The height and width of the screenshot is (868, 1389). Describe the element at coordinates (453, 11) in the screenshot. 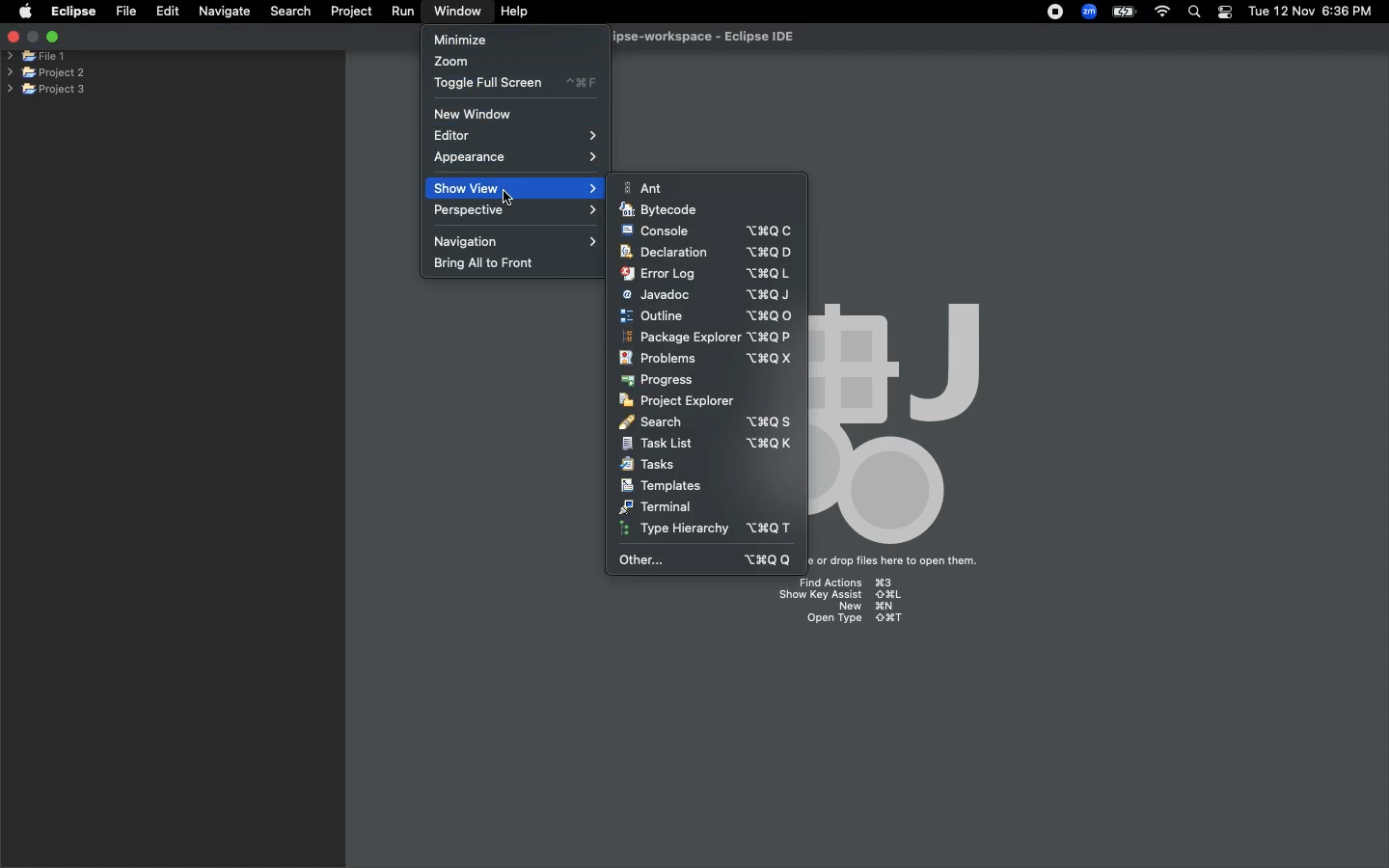

I see `Window` at that location.